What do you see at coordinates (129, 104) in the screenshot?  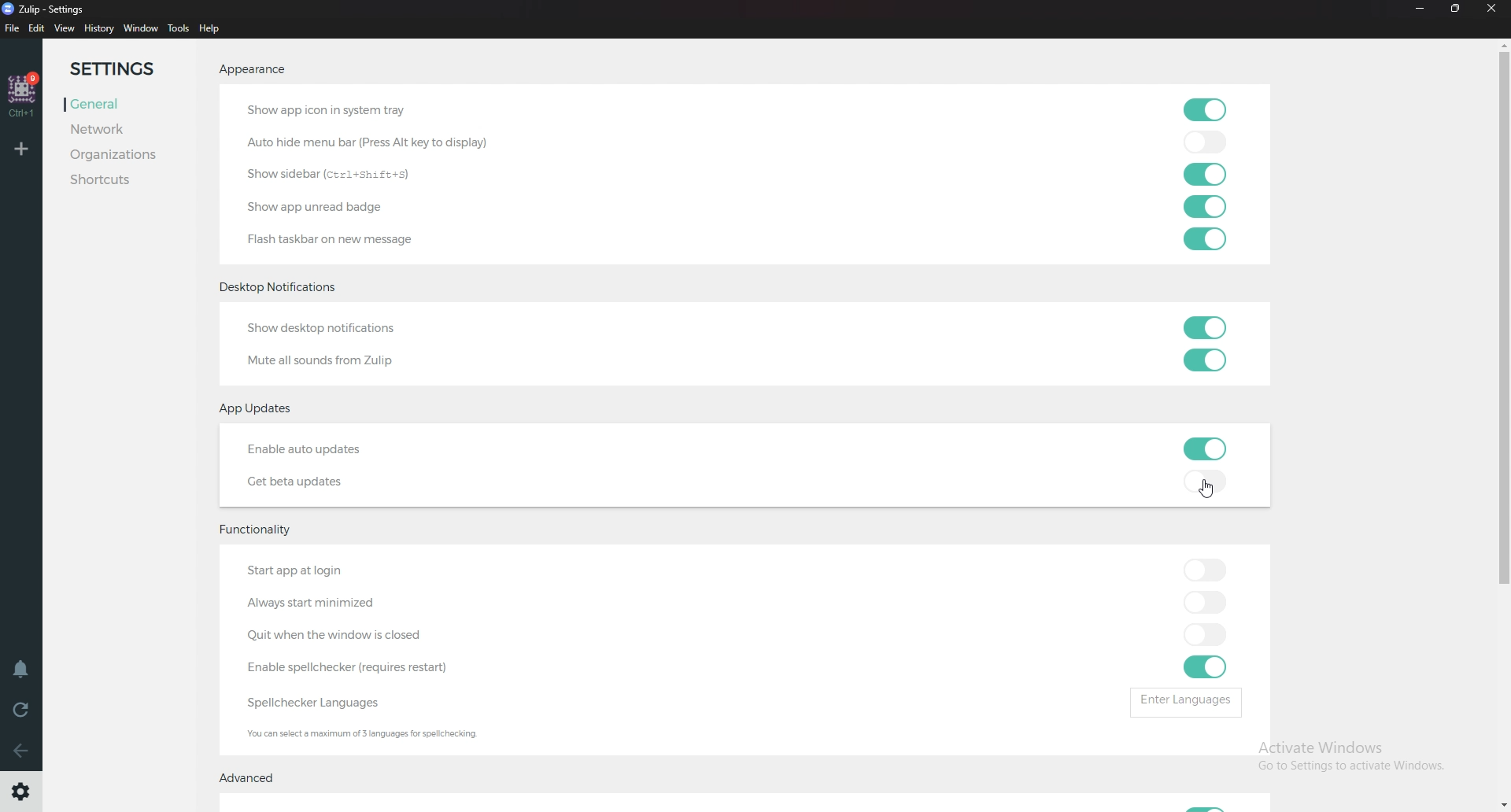 I see `General` at bounding box center [129, 104].